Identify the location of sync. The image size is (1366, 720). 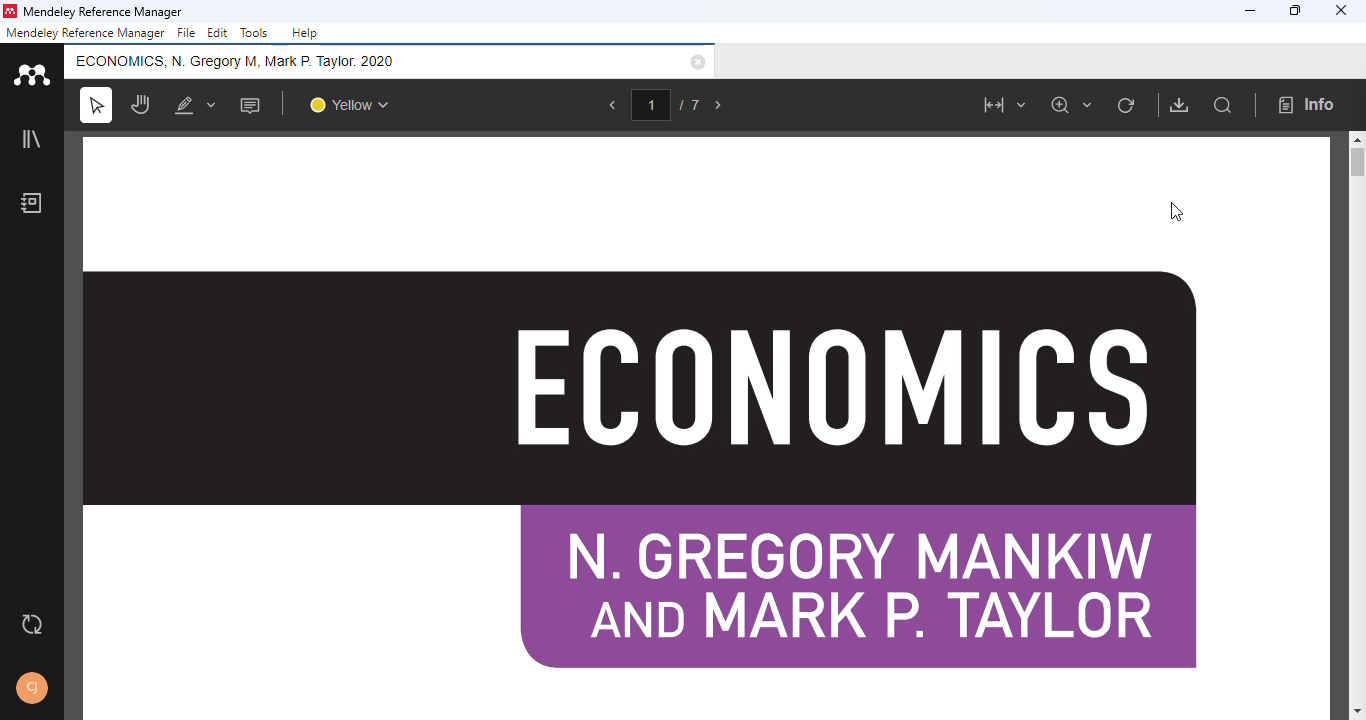
(32, 625).